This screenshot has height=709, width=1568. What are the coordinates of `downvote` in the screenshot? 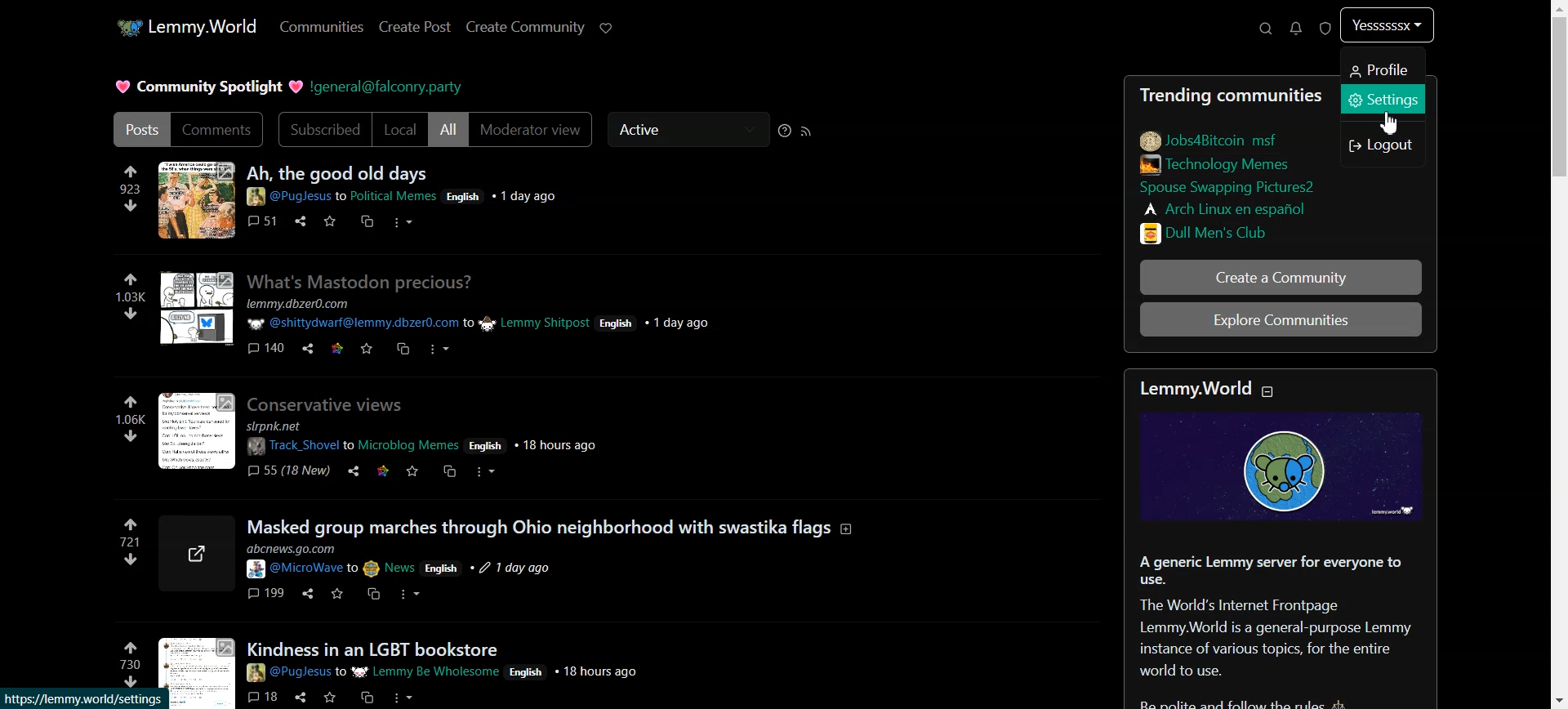 It's located at (131, 681).